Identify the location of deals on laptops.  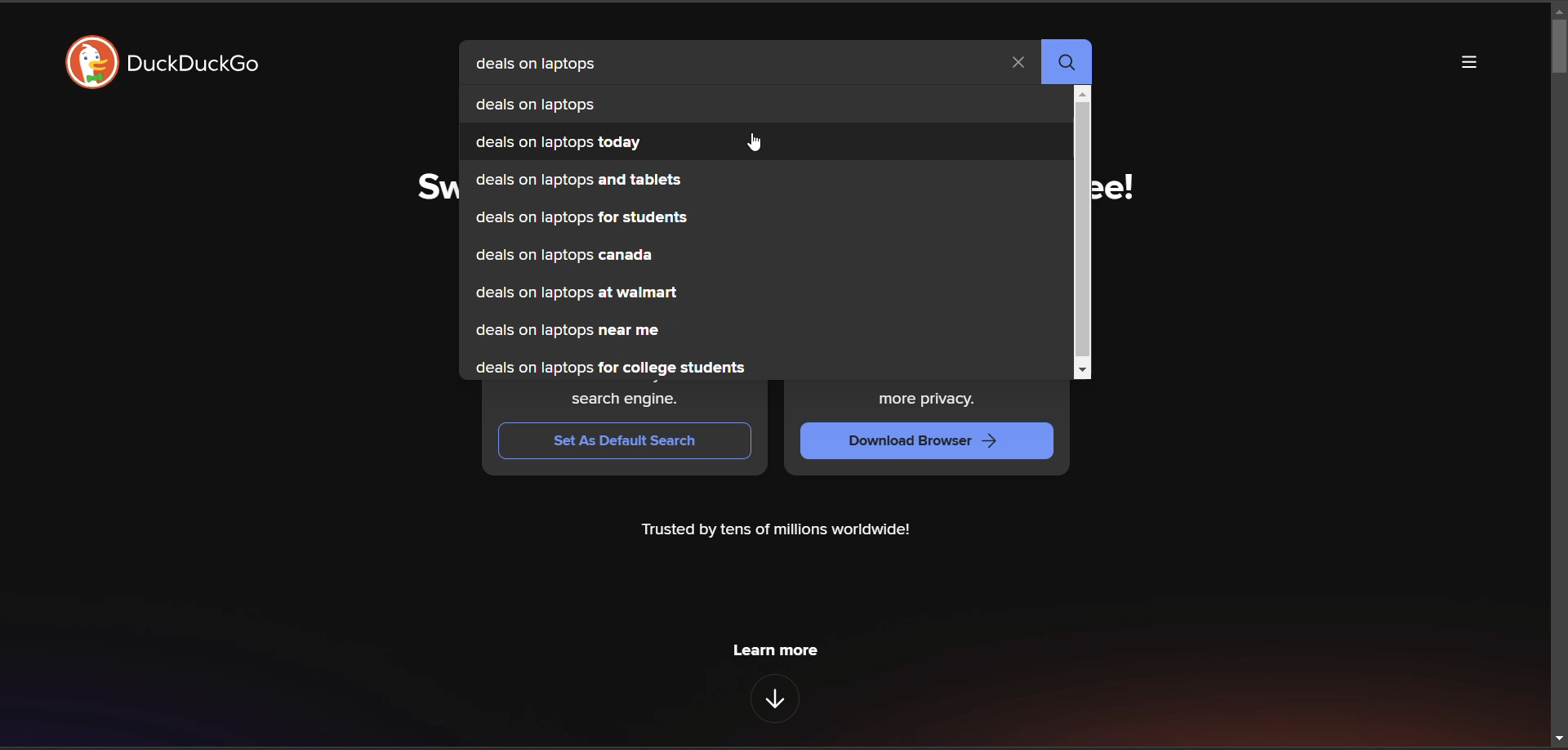
(572, 103).